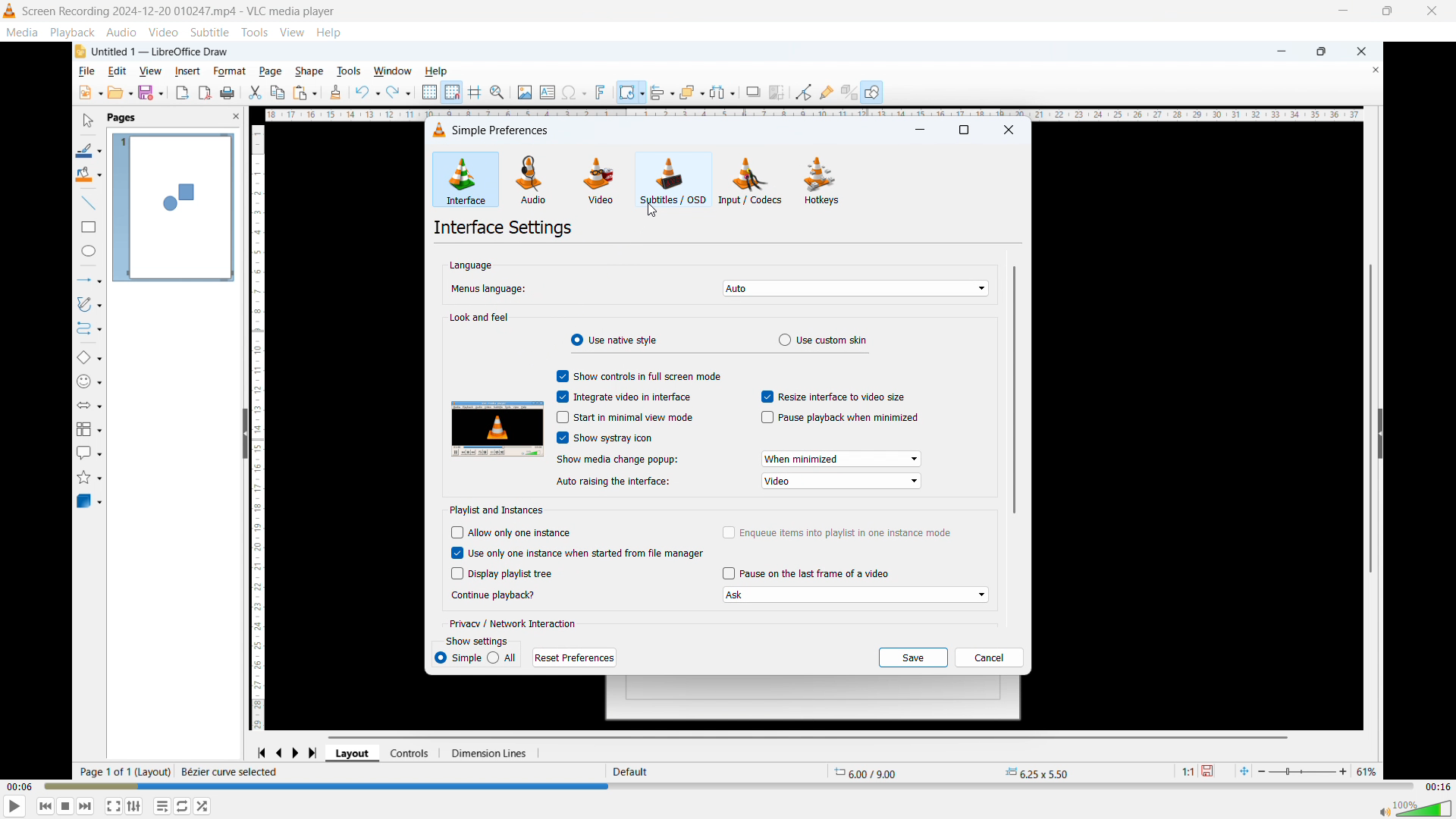  What do you see at coordinates (605, 438) in the screenshot?
I see `Show system tray icon ` at bounding box center [605, 438].